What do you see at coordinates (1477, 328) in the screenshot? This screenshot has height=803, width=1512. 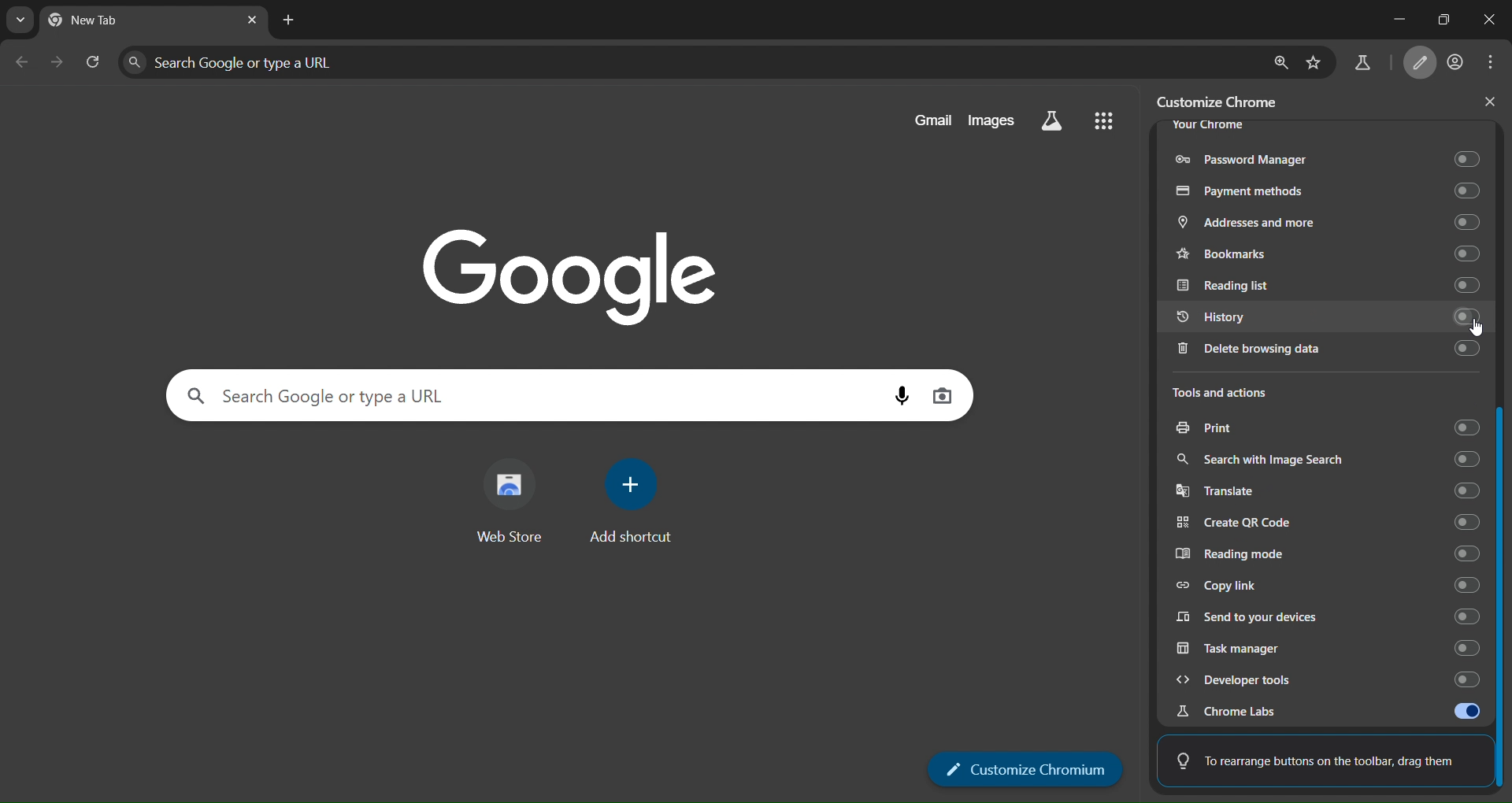 I see `Cursor` at bounding box center [1477, 328].